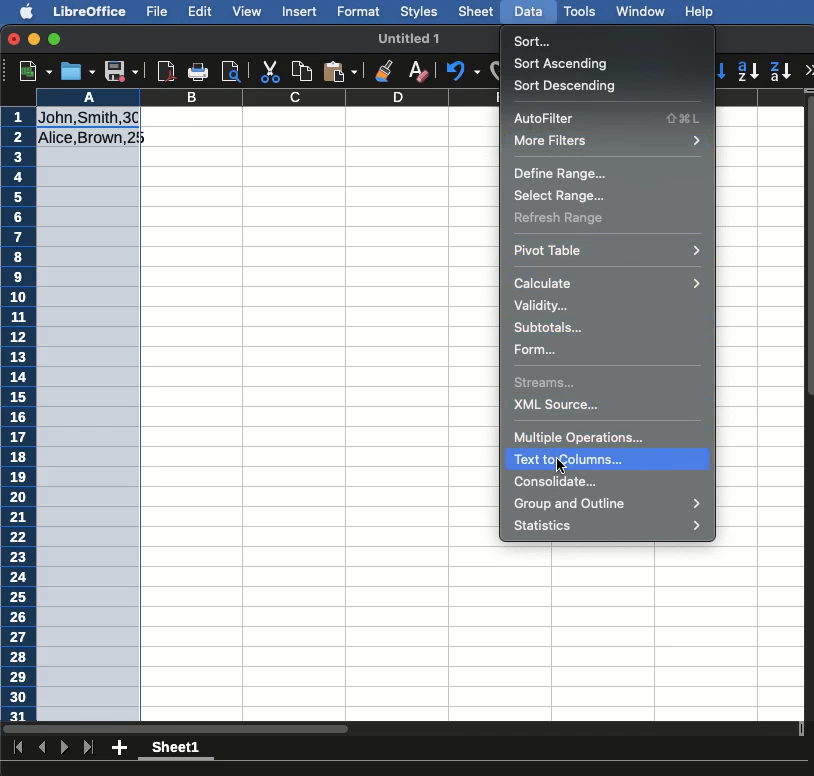 The height and width of the screenshot is (776, 814). I want to click on Tools, so click(581, 12).